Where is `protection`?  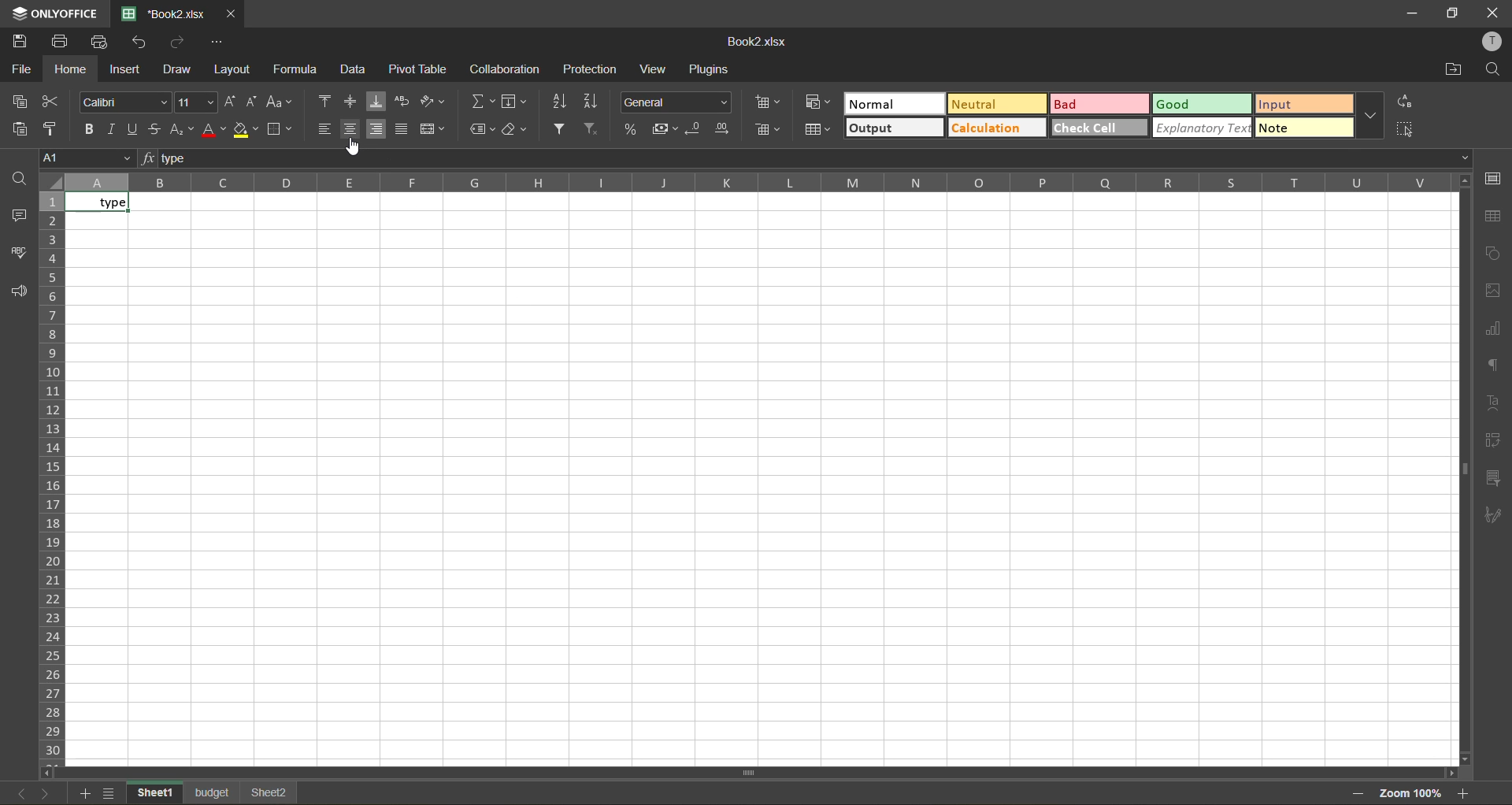 protection is located at coordinates (594, 70).